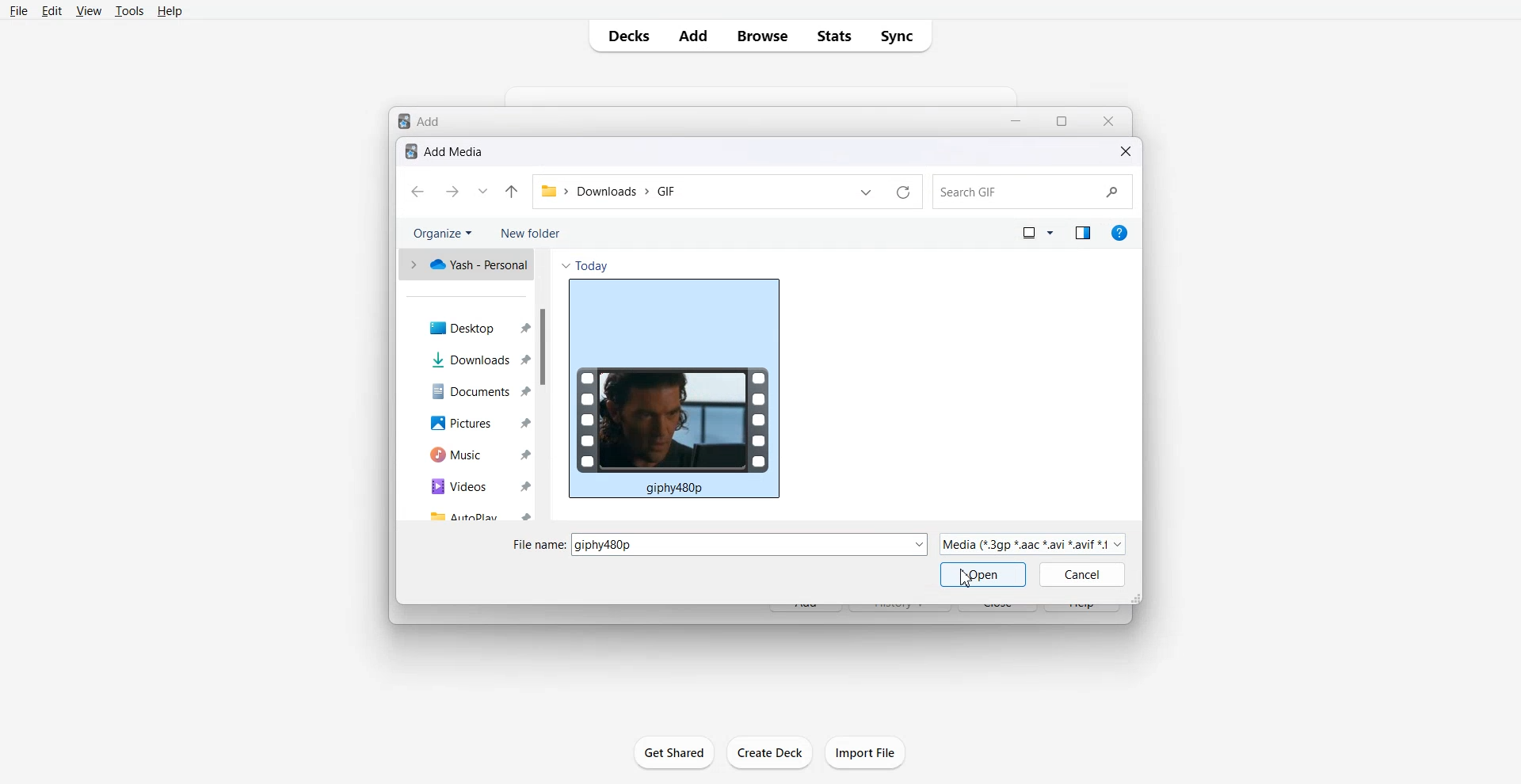  Describe the element at coordinates (1032, 543) in the screenshot. I see `| Media (“3gp *aac “avi *avit #1` at that location.